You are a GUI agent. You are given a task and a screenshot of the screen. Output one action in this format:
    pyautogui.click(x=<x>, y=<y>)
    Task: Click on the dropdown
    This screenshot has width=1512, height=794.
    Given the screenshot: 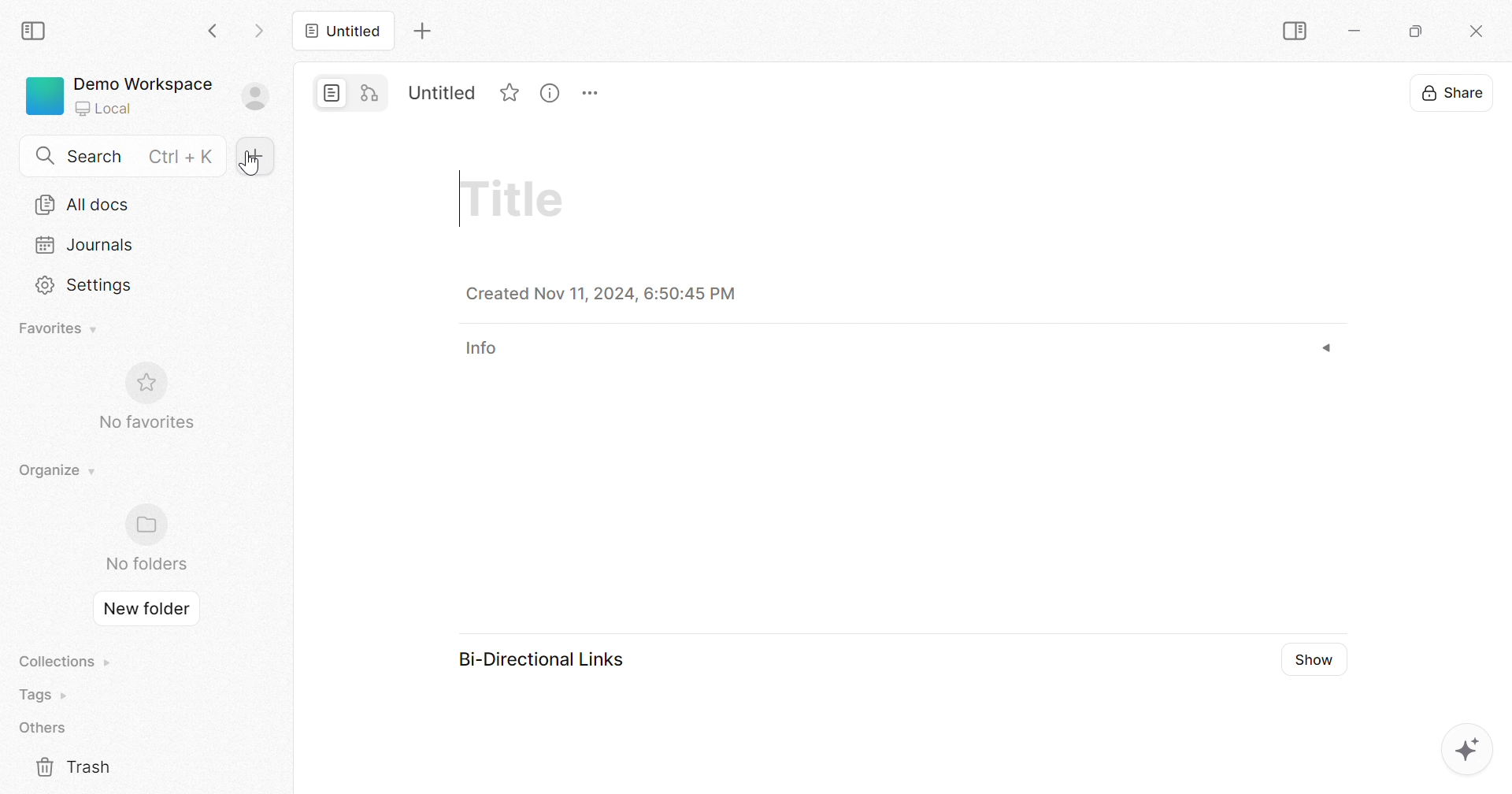 What is the action you would take?
    pyautogui.click(x=1326, y=348)
    